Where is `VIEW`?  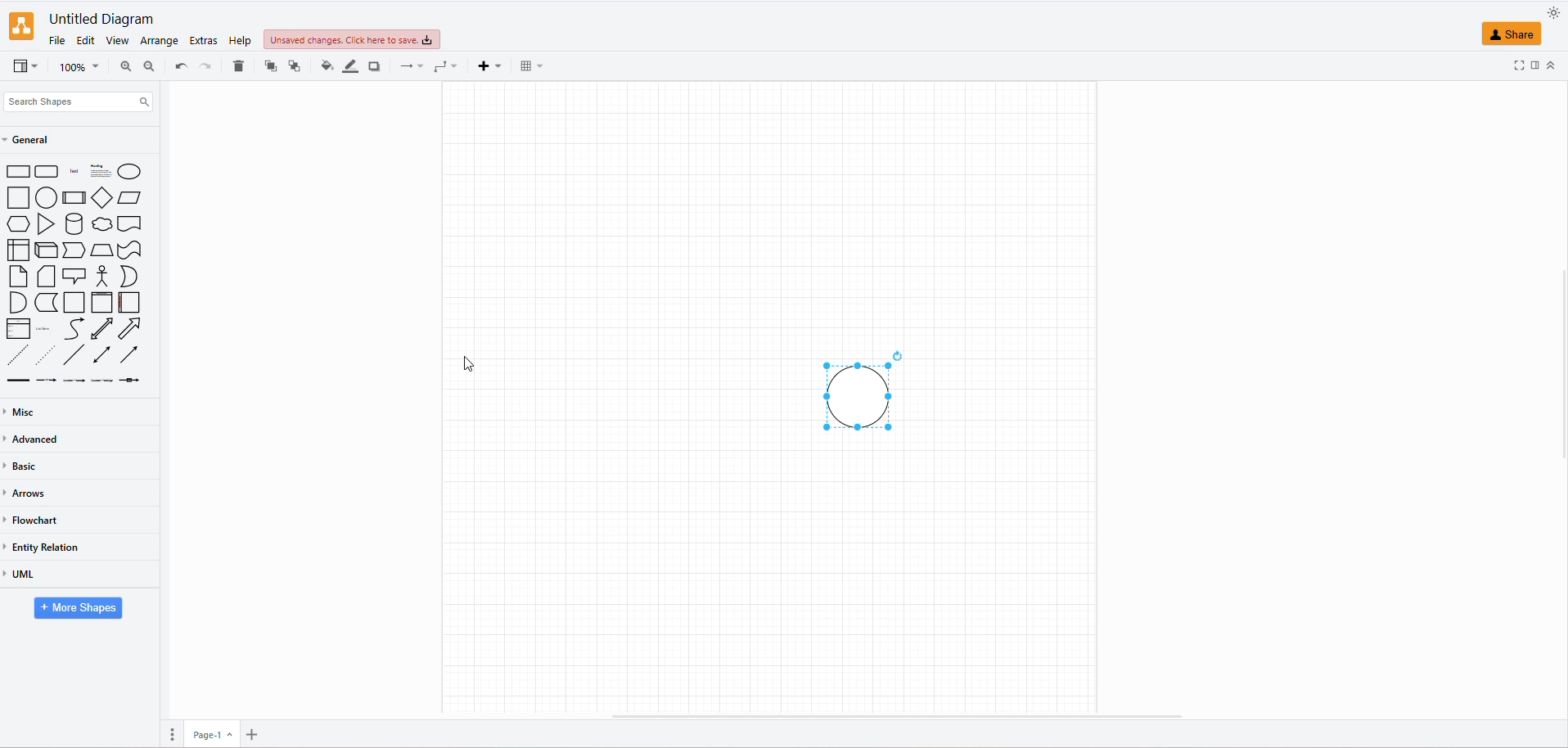
VIEW is located at coordinates (24, 68).